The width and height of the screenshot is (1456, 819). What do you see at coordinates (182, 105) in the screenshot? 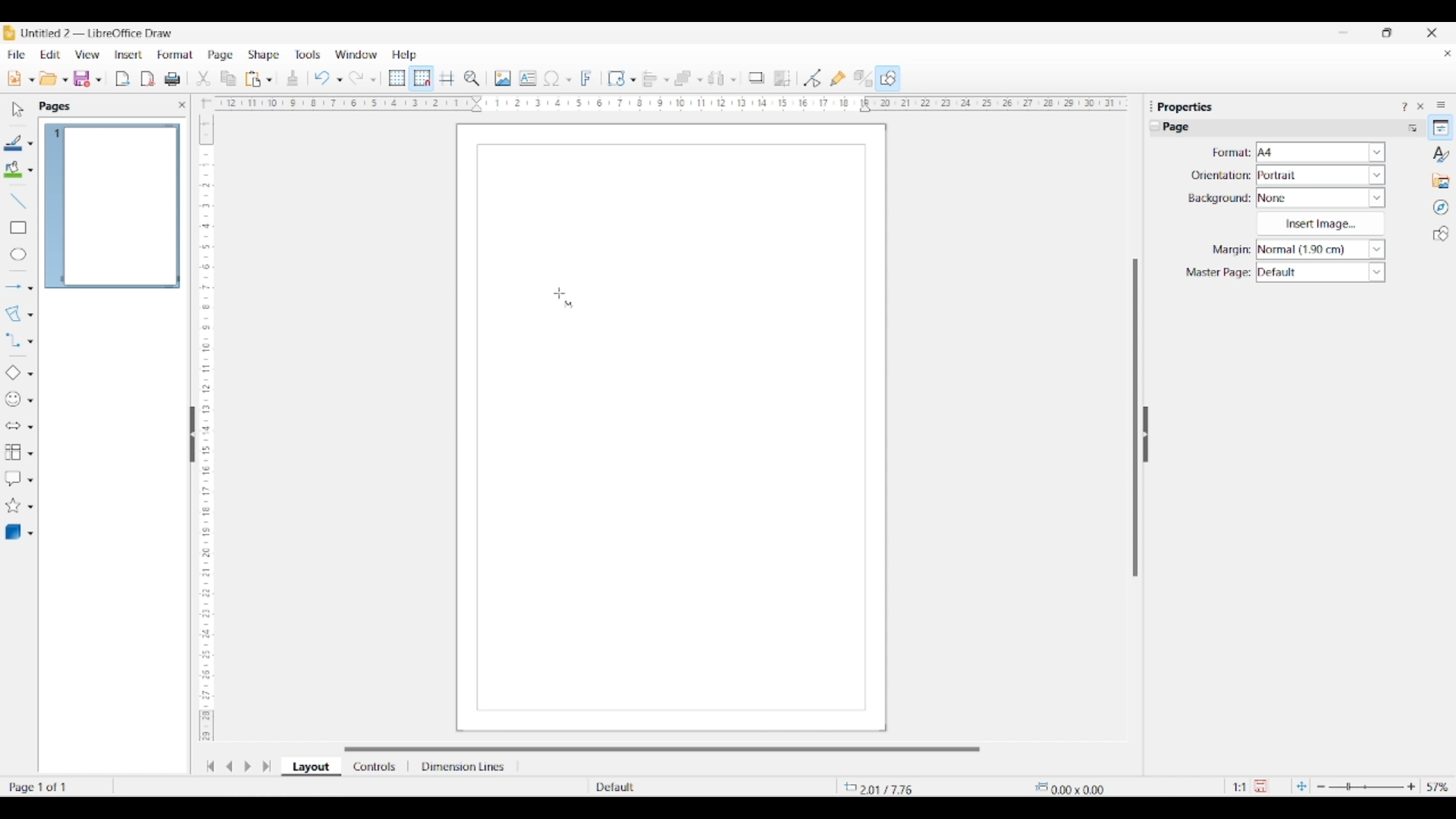
I see `Close left sidebar` at bounding box center [182, 105].